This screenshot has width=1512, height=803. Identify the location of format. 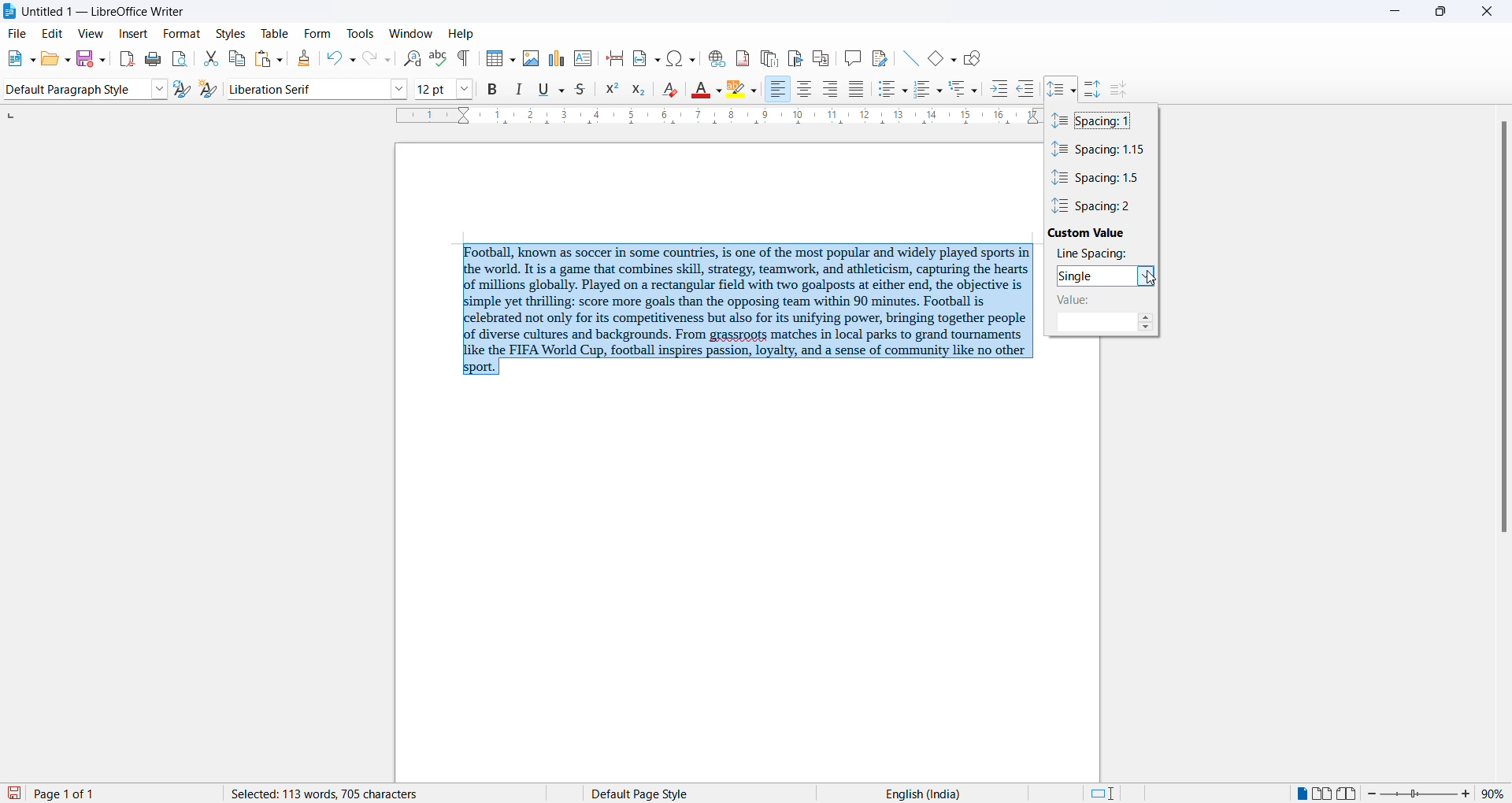
(180, 35).